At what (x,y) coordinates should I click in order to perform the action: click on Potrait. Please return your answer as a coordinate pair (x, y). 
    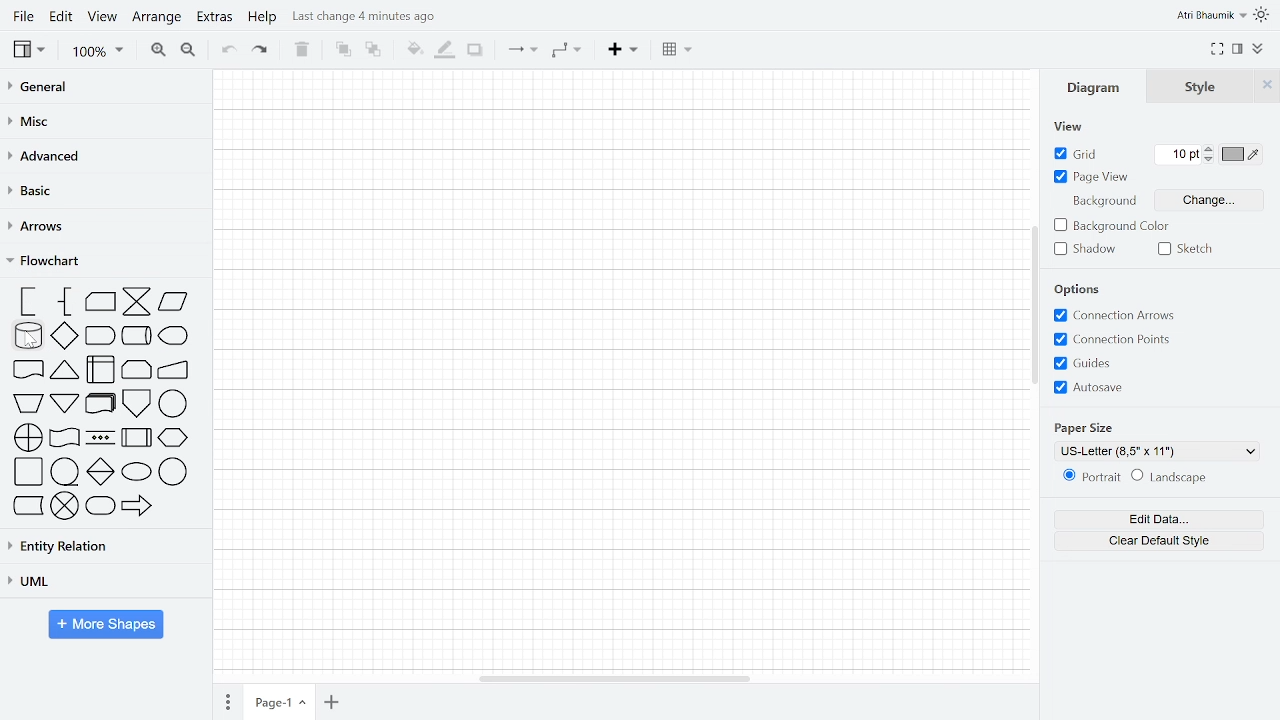
    Looking at the image, I should click on (1085, 478).